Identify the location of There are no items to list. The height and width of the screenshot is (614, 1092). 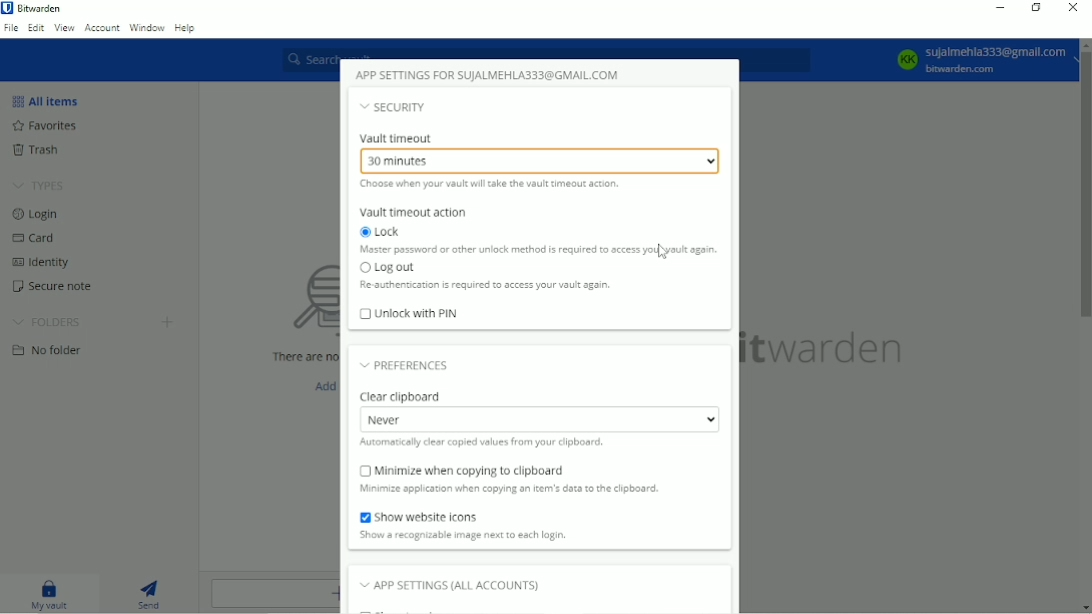
(296, 357).